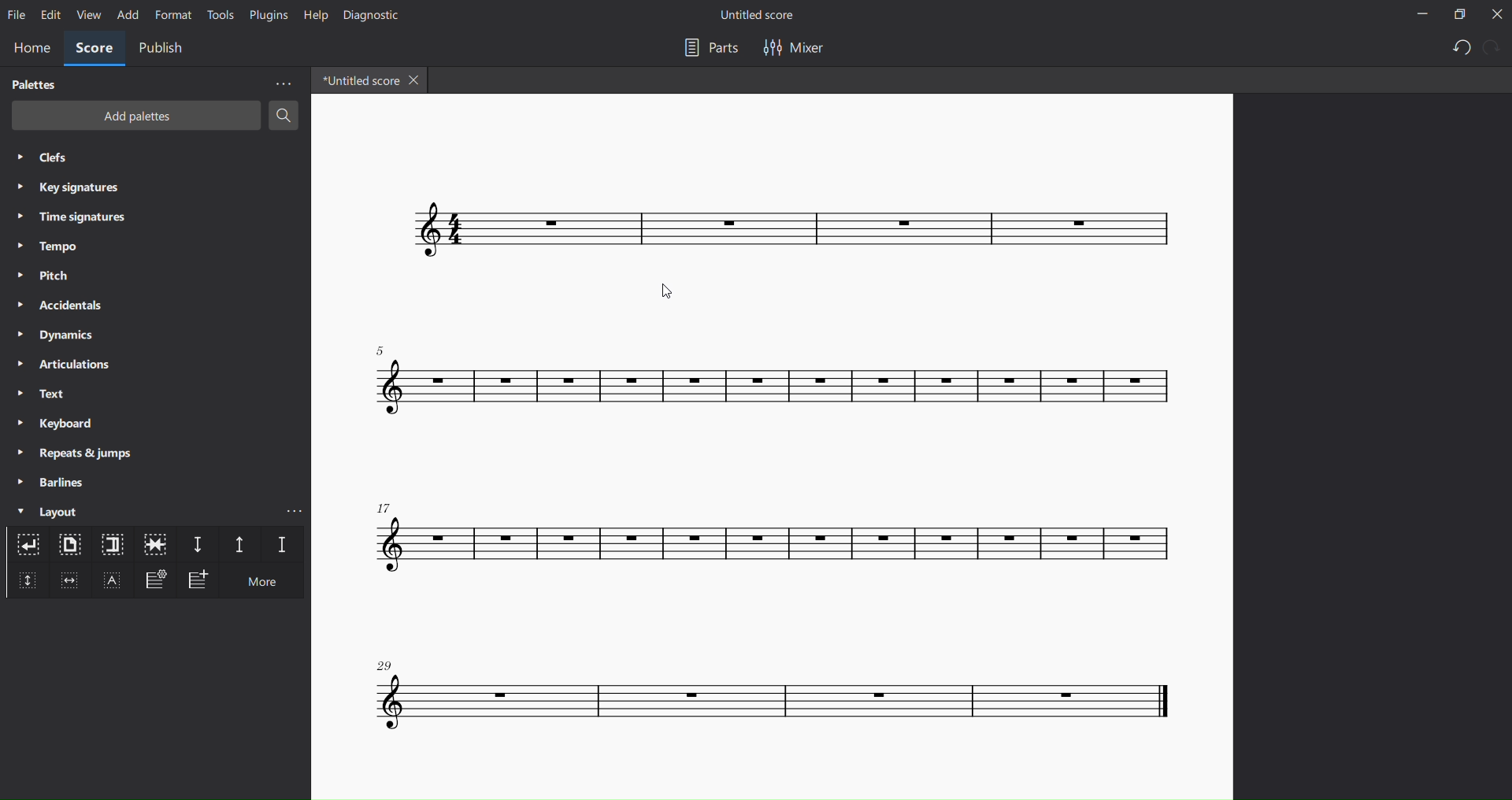 Image resolution: width=1512 pixels, height=800 pixels. What do you see at coordinates (55, 424) in the screenshot?
I see `keyboard` at bounding box center [55, 424].